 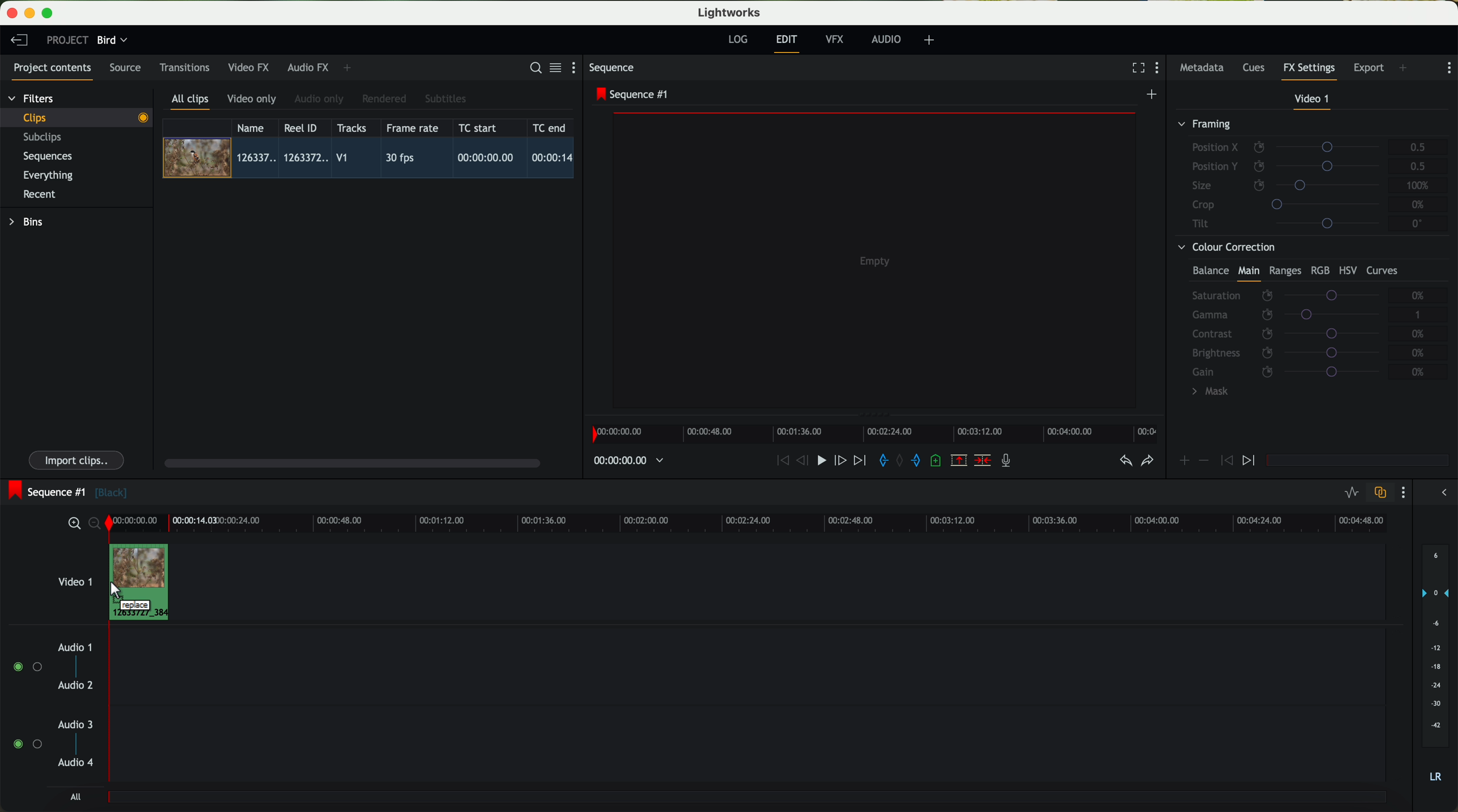 I want to click on cues, so click(x=1257, y=68).